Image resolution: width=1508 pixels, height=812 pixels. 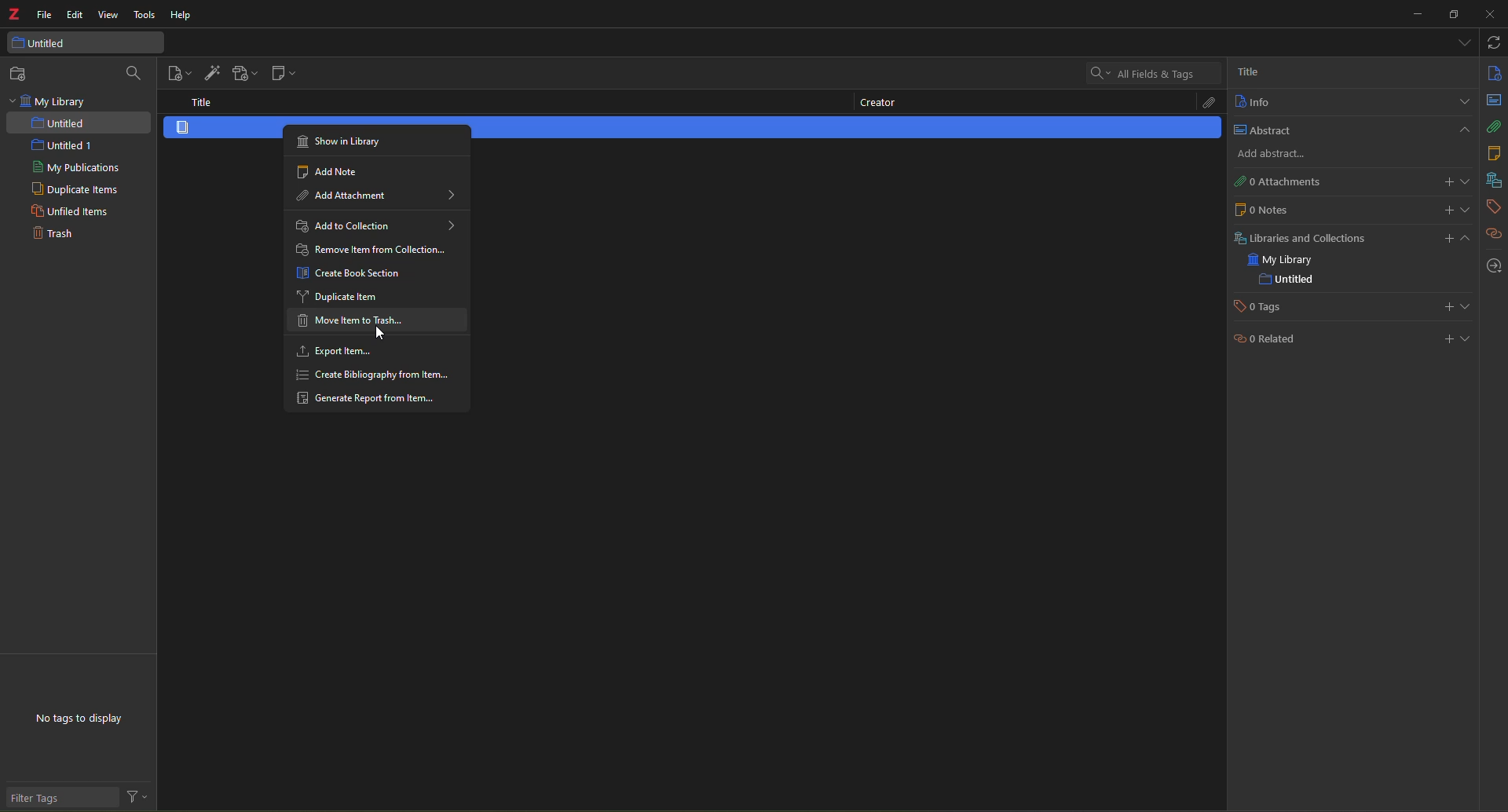 I want to click on add, so click(x=1448, y=209).